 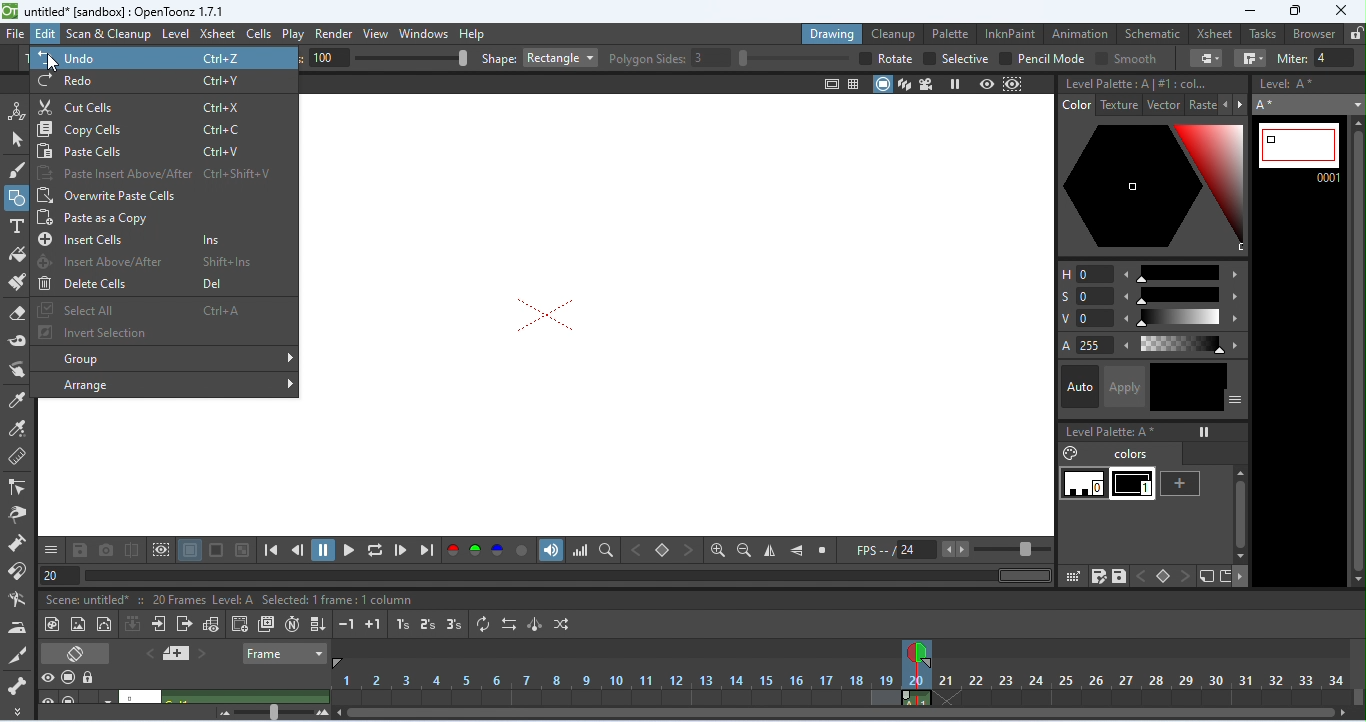 I want to click on show or hide, so click(x=1236, y=400).